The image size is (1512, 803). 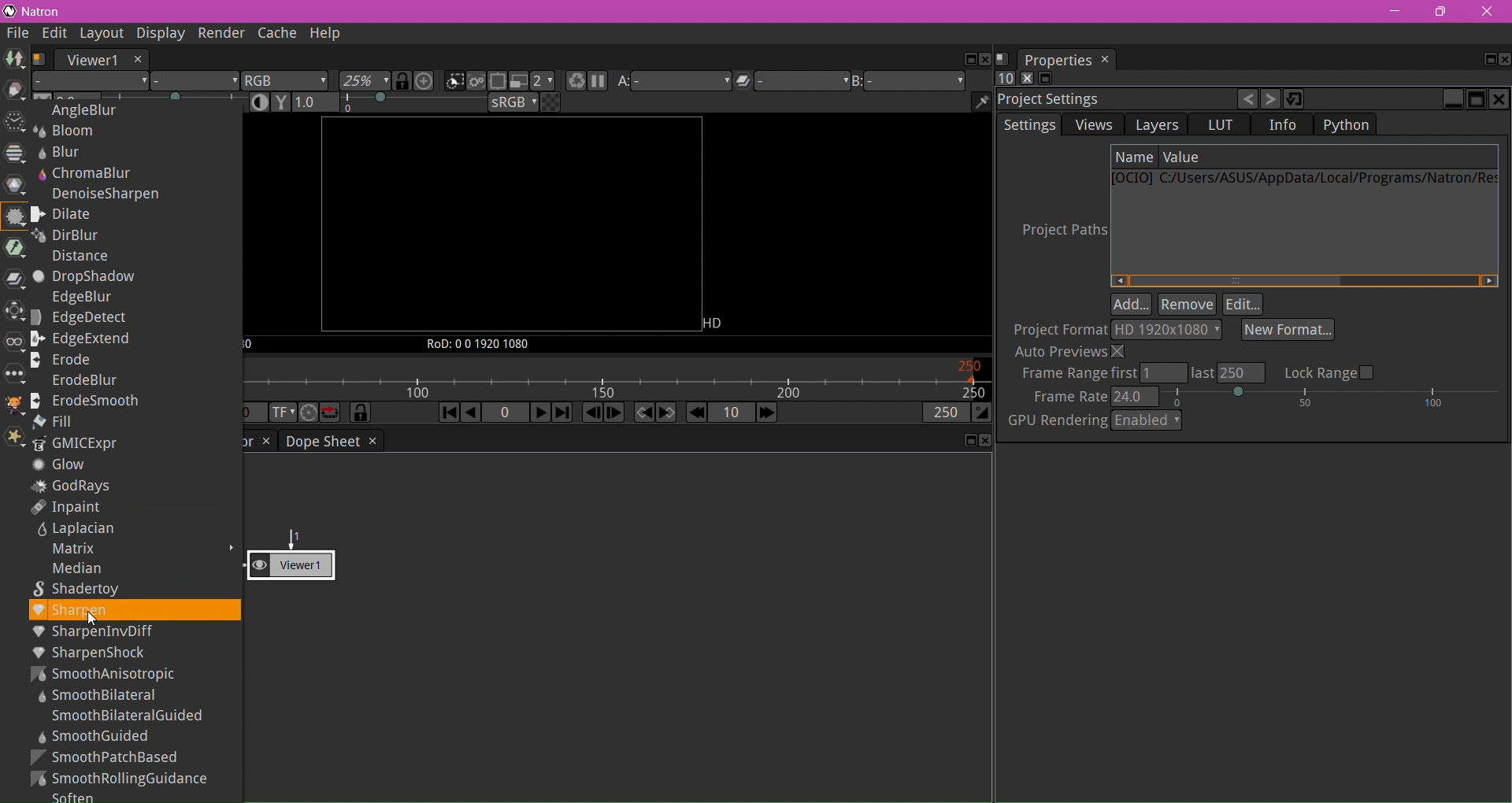 I want to click on Maximize pane, so click(x=1476, y=99).